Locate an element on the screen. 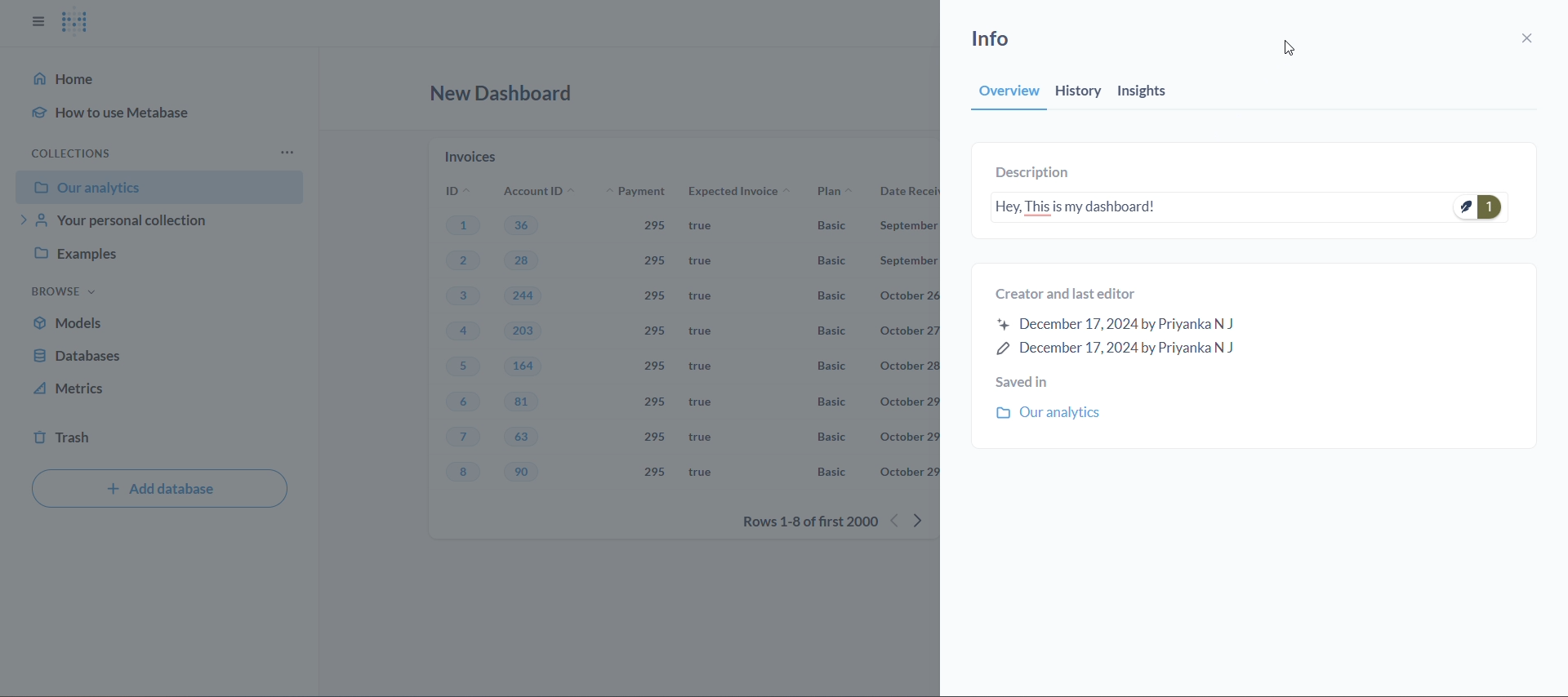 The height and width of the screenshot is (697, 1568). 244 is located at coordinates (523, 296).